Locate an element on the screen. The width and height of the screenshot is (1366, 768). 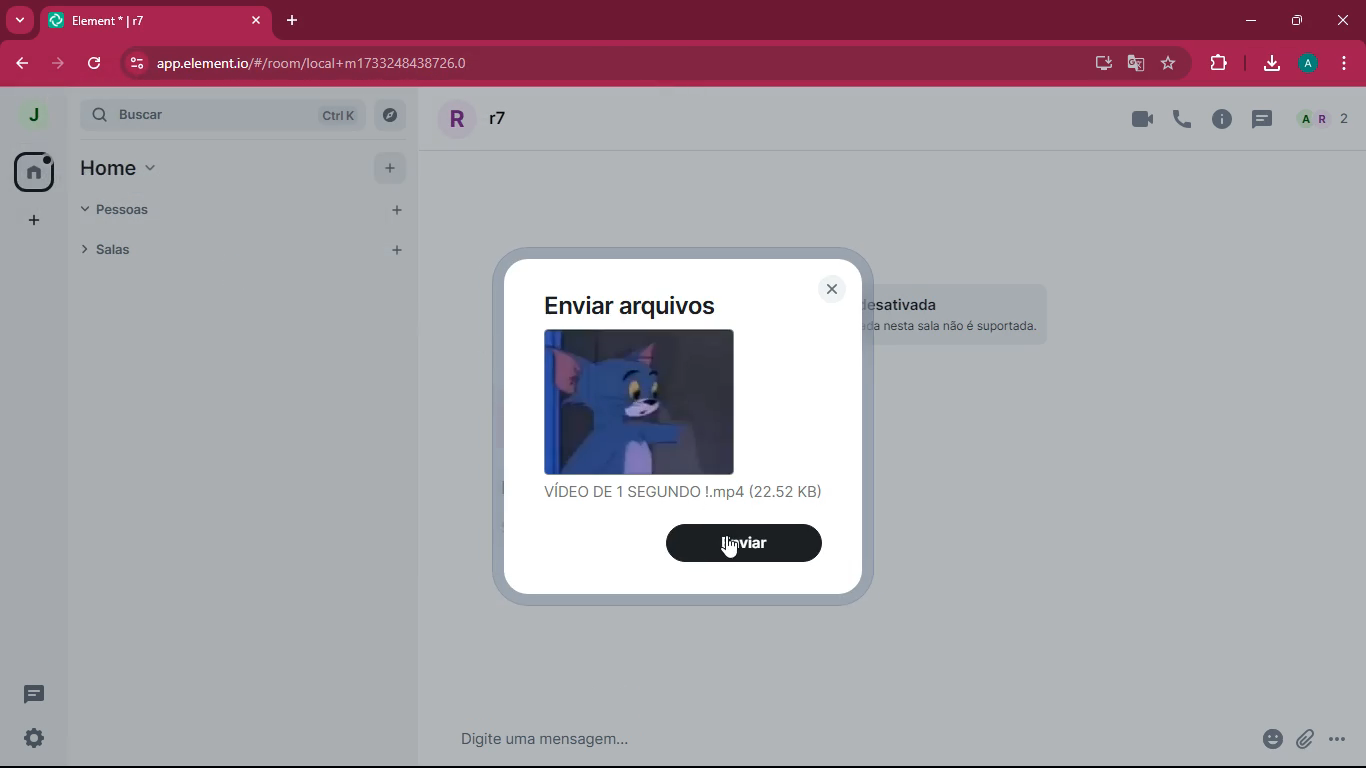
user is located at coordinates (511, 118).